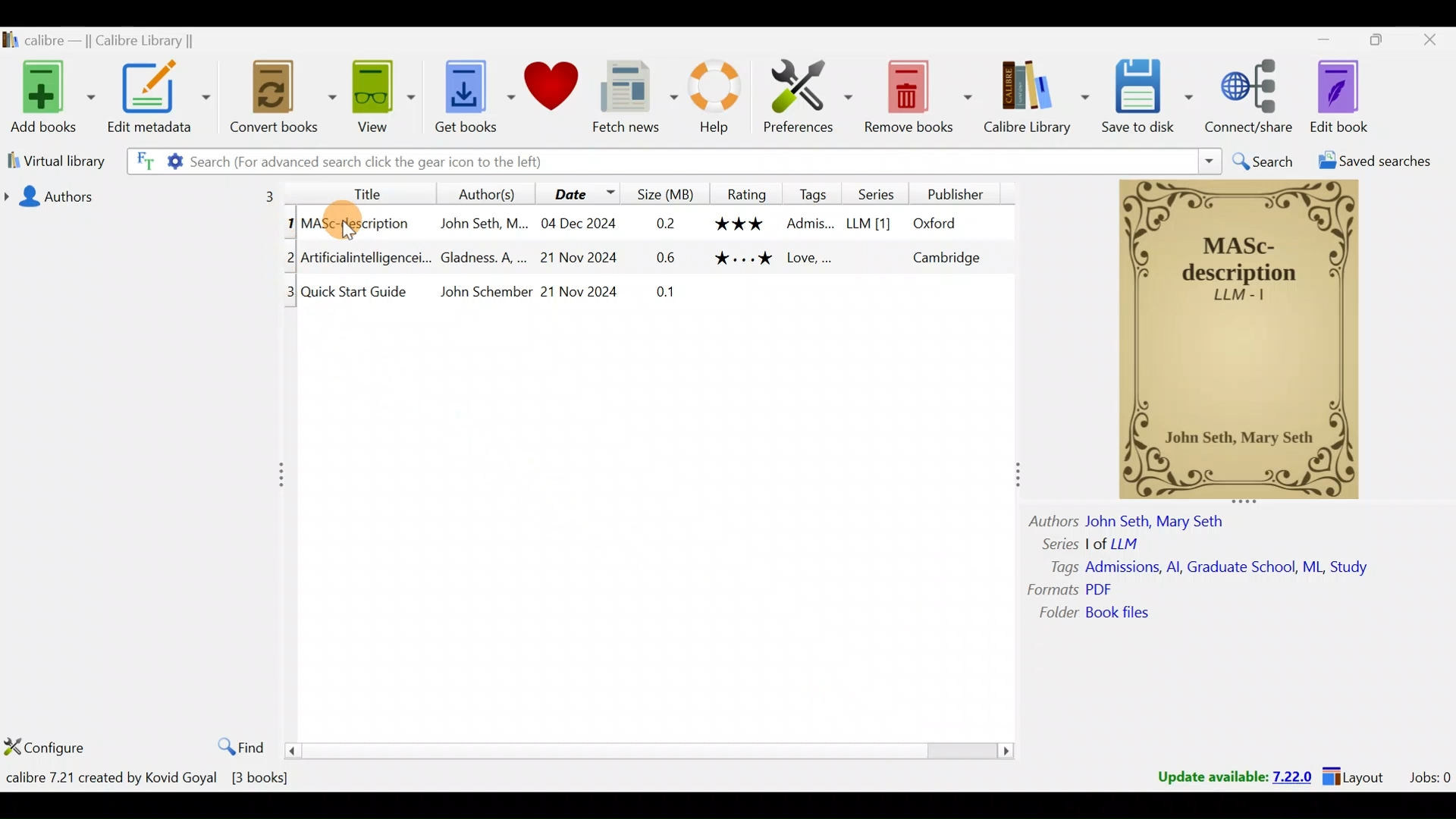 This screenshot has width=1456, height=819. I want to click on , so click(1240, 342).